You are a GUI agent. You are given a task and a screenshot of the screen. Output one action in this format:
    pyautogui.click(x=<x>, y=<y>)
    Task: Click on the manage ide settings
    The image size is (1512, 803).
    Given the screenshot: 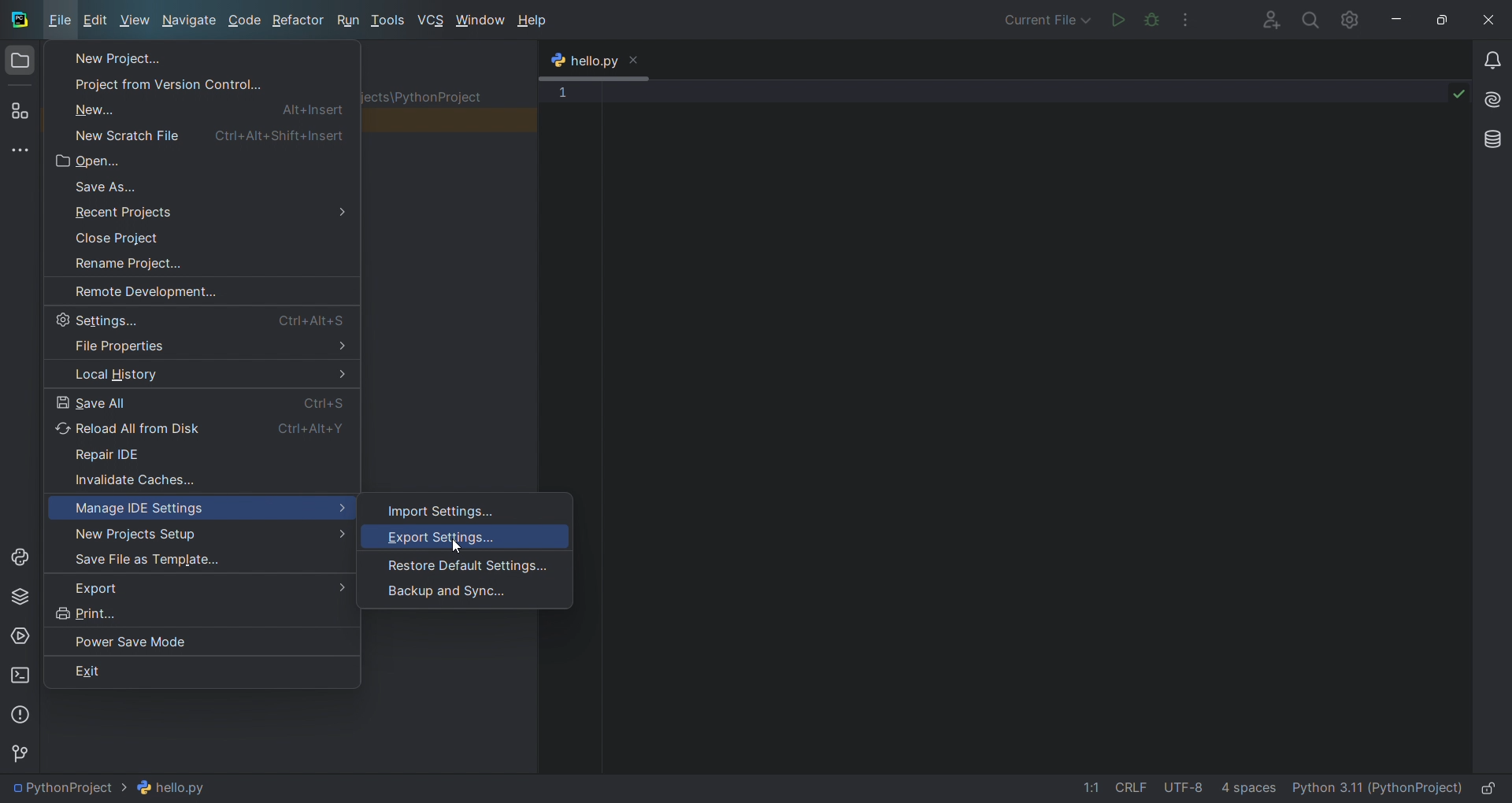 What is the action you would take?
    pyautogui.click(x=200, y=504)
    